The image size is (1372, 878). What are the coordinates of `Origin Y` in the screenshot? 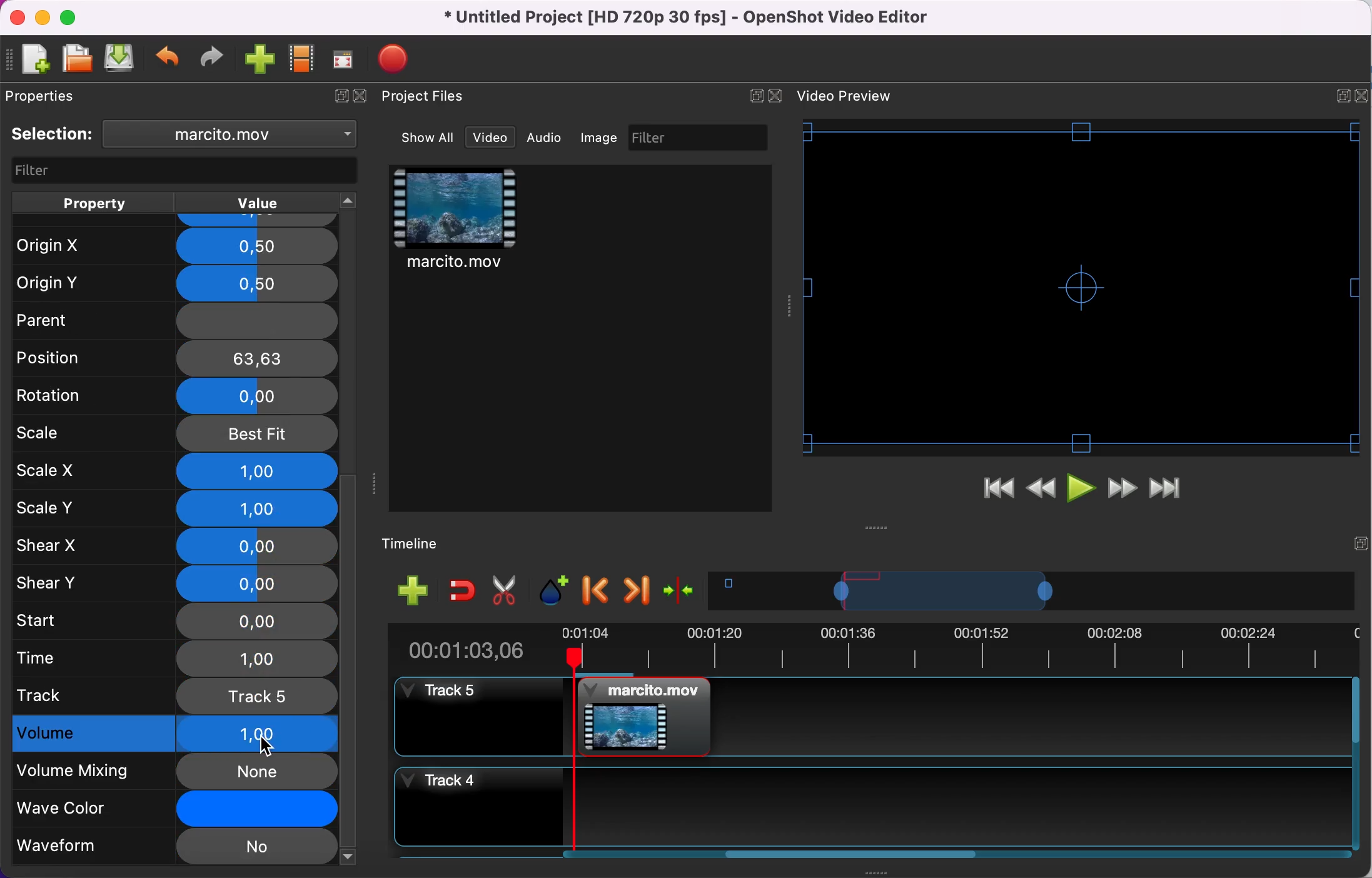 It's located at (171, 284).